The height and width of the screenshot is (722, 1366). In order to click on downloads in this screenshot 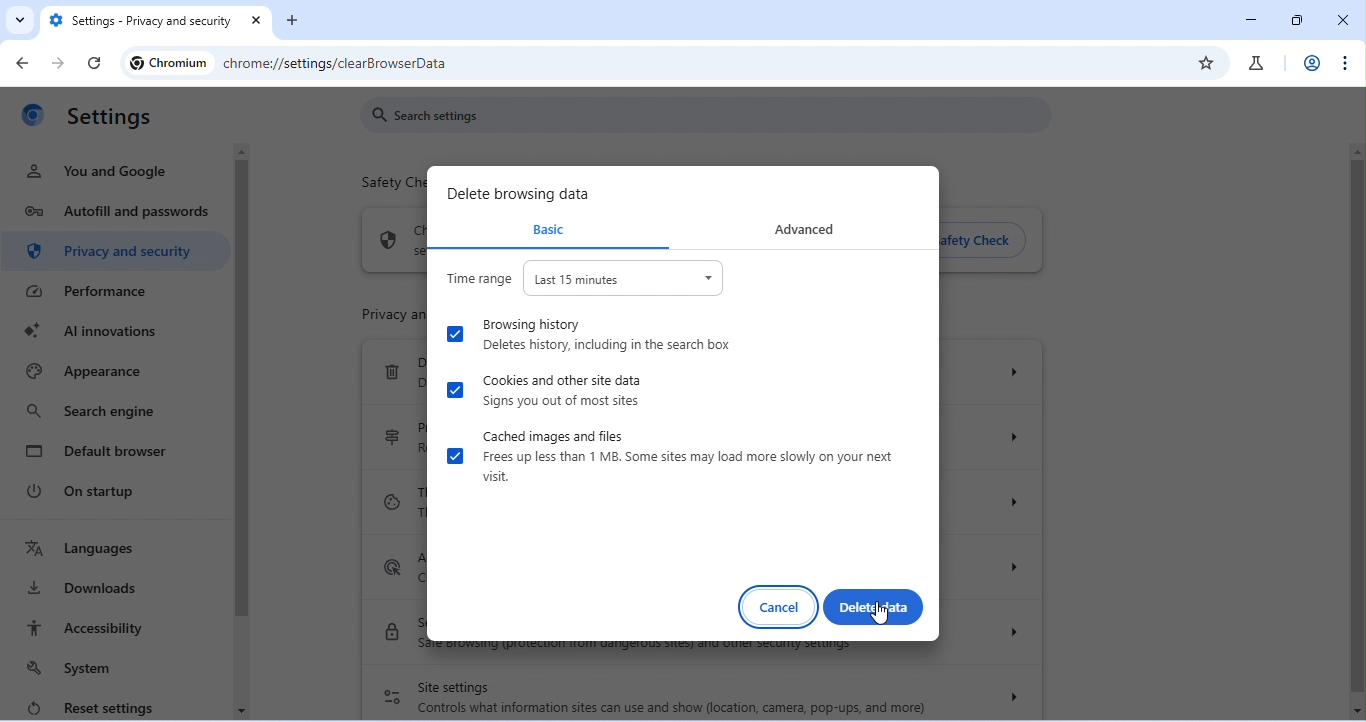, I will do `click(85, 588)`.